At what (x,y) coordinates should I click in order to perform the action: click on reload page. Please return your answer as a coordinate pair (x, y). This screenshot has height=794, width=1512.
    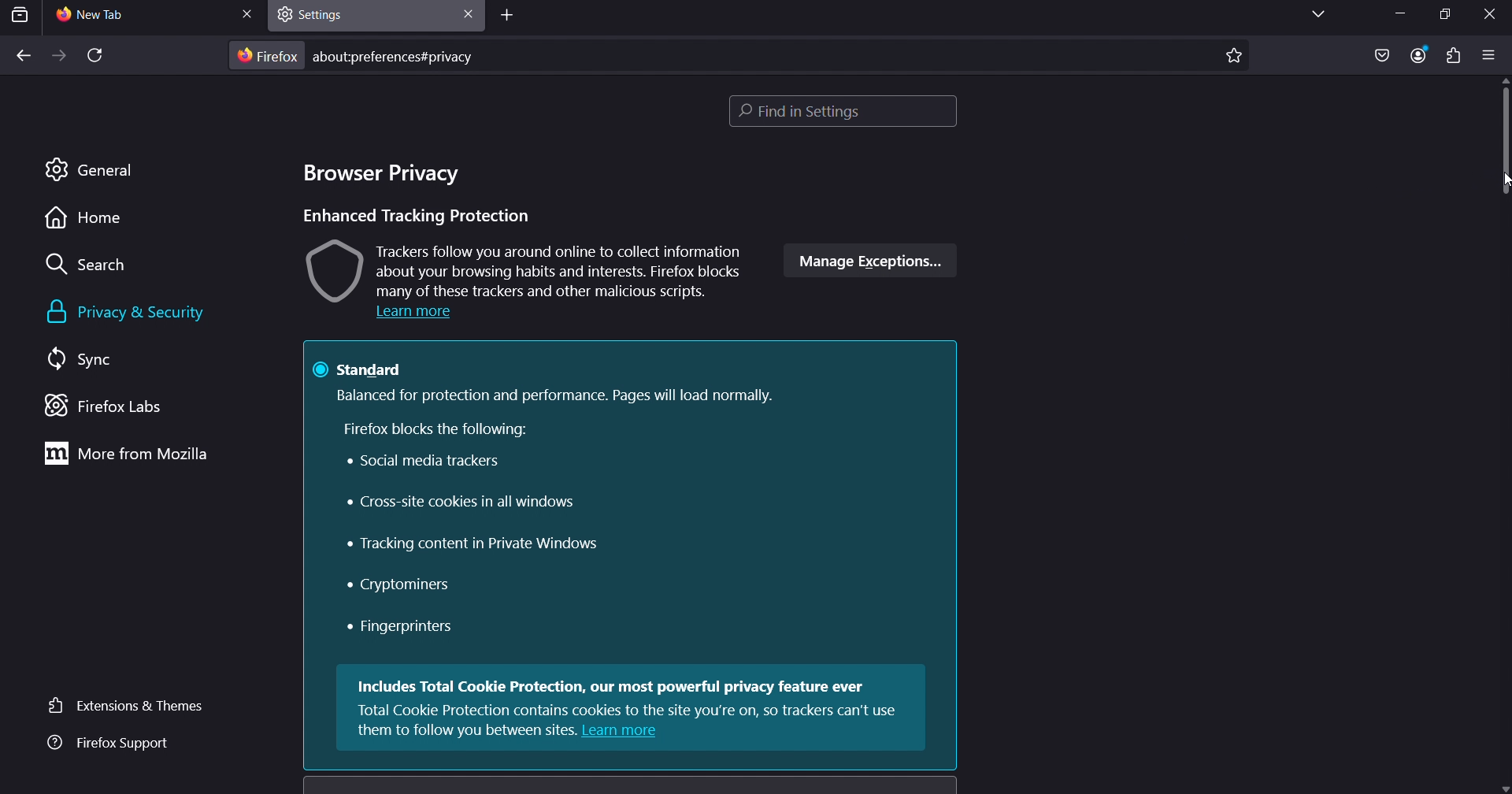
    Looking at the image, I should click on (94, 58).